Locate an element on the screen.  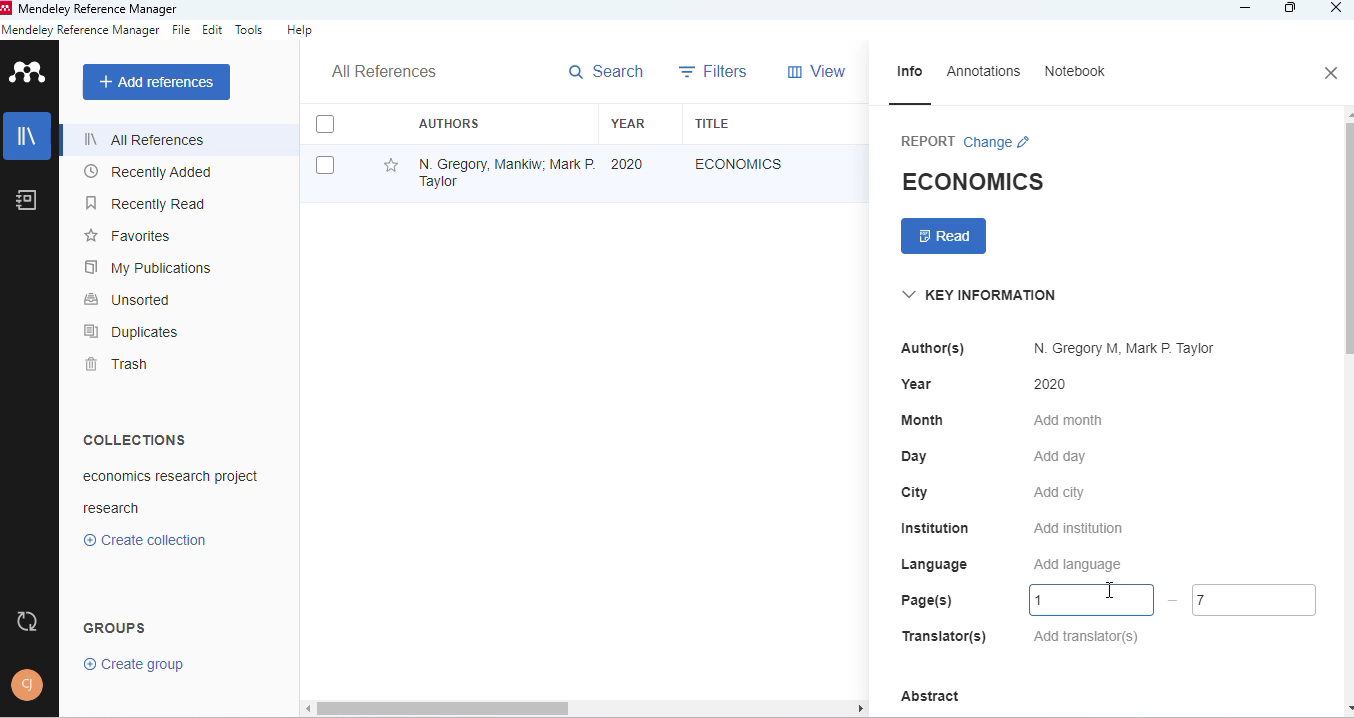
city is located at coordinates (916, 493).